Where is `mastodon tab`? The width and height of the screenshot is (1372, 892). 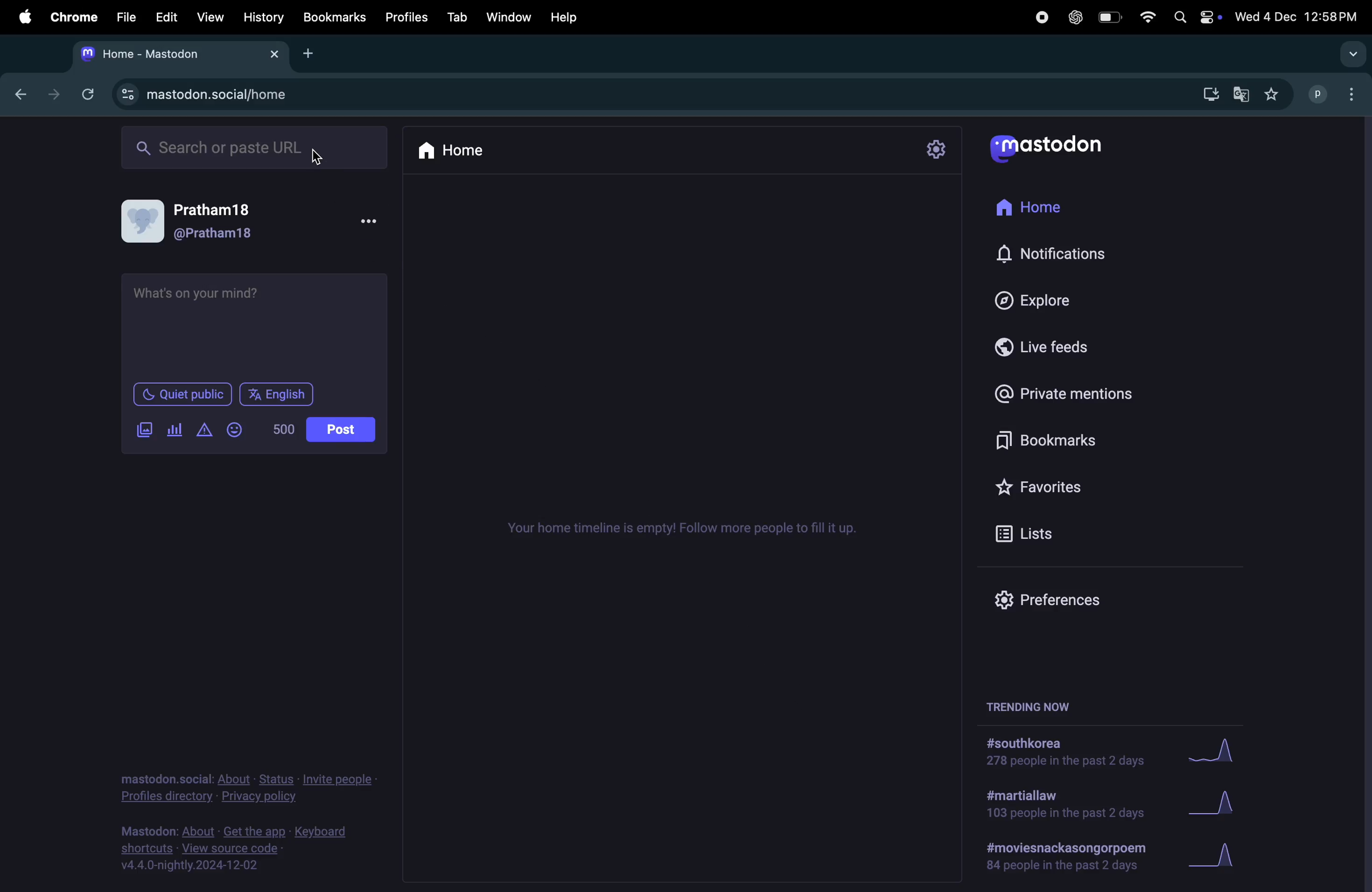
mastodon tab is located at coordinates (183, 54).